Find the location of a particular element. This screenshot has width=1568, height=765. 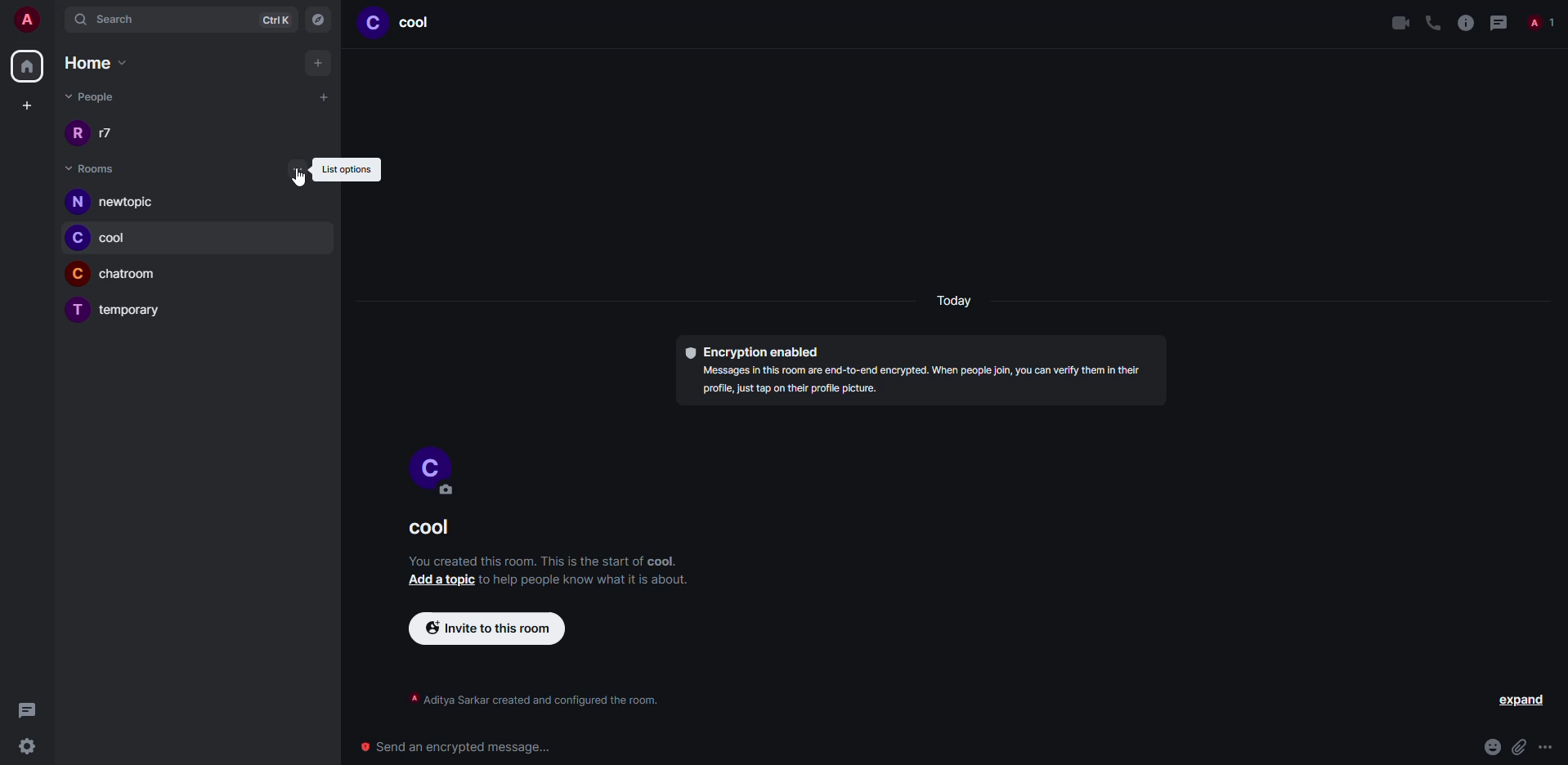

room is located at coordinates (126, 200).